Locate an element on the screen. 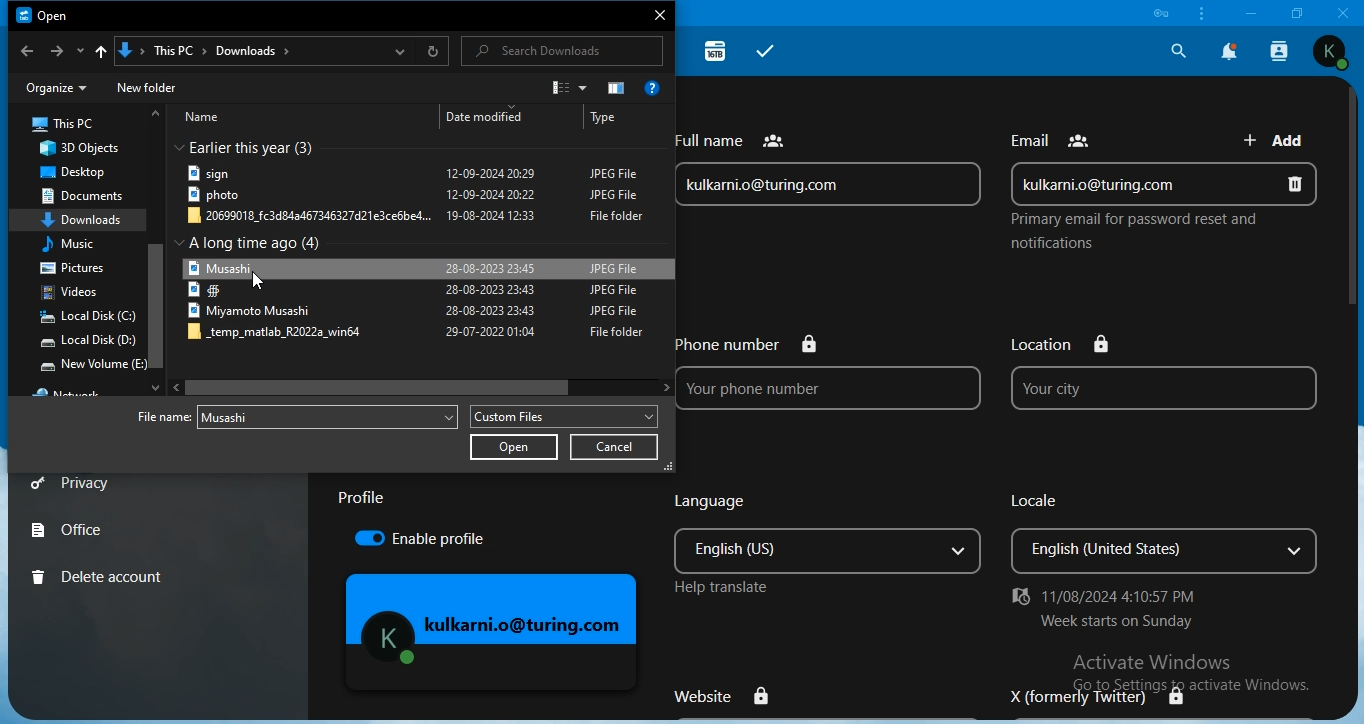  mage is located at coordinates (494, 634).